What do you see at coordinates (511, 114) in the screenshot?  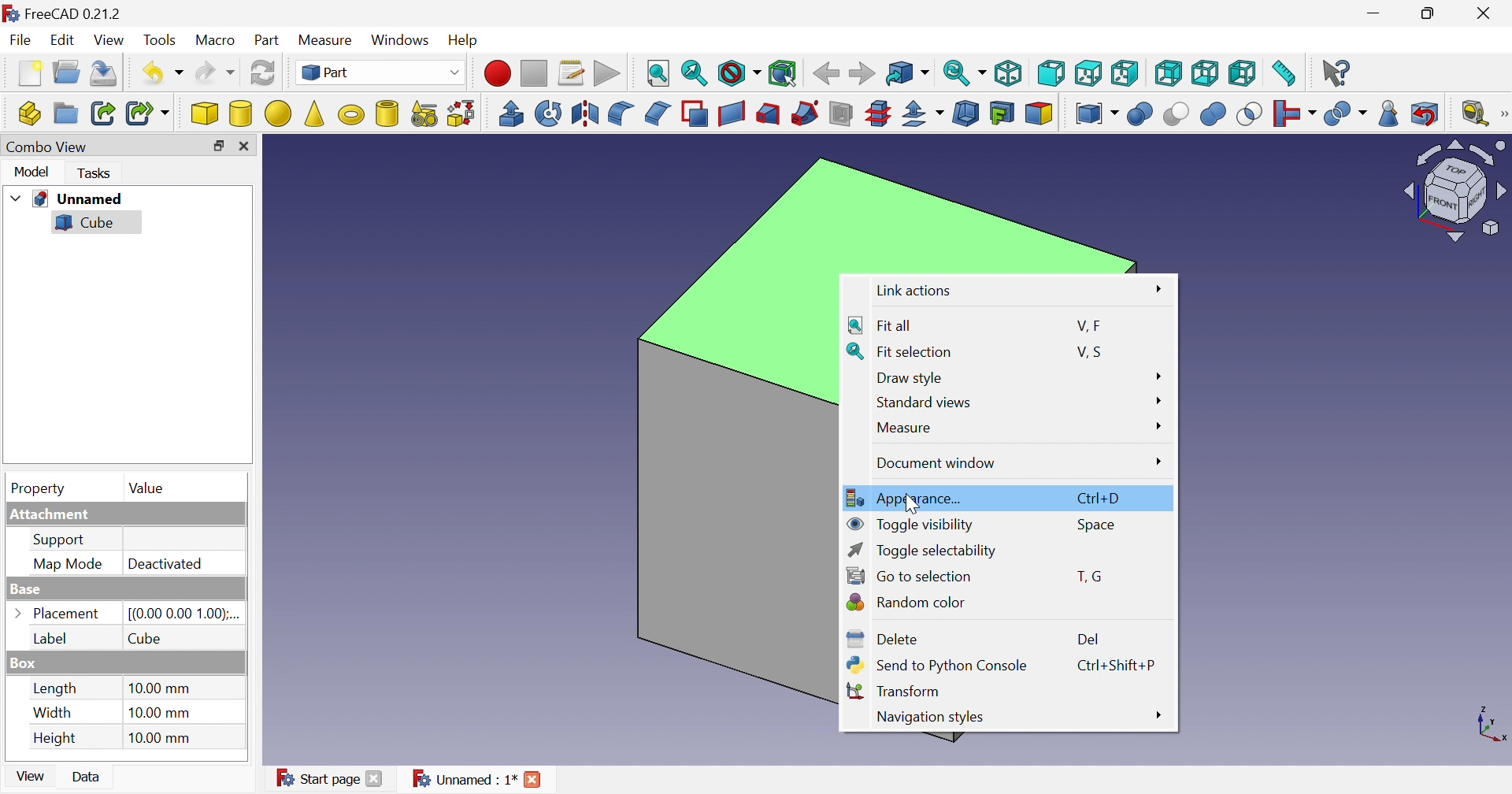 I see `Extrude` at bounding box center [511, 114].